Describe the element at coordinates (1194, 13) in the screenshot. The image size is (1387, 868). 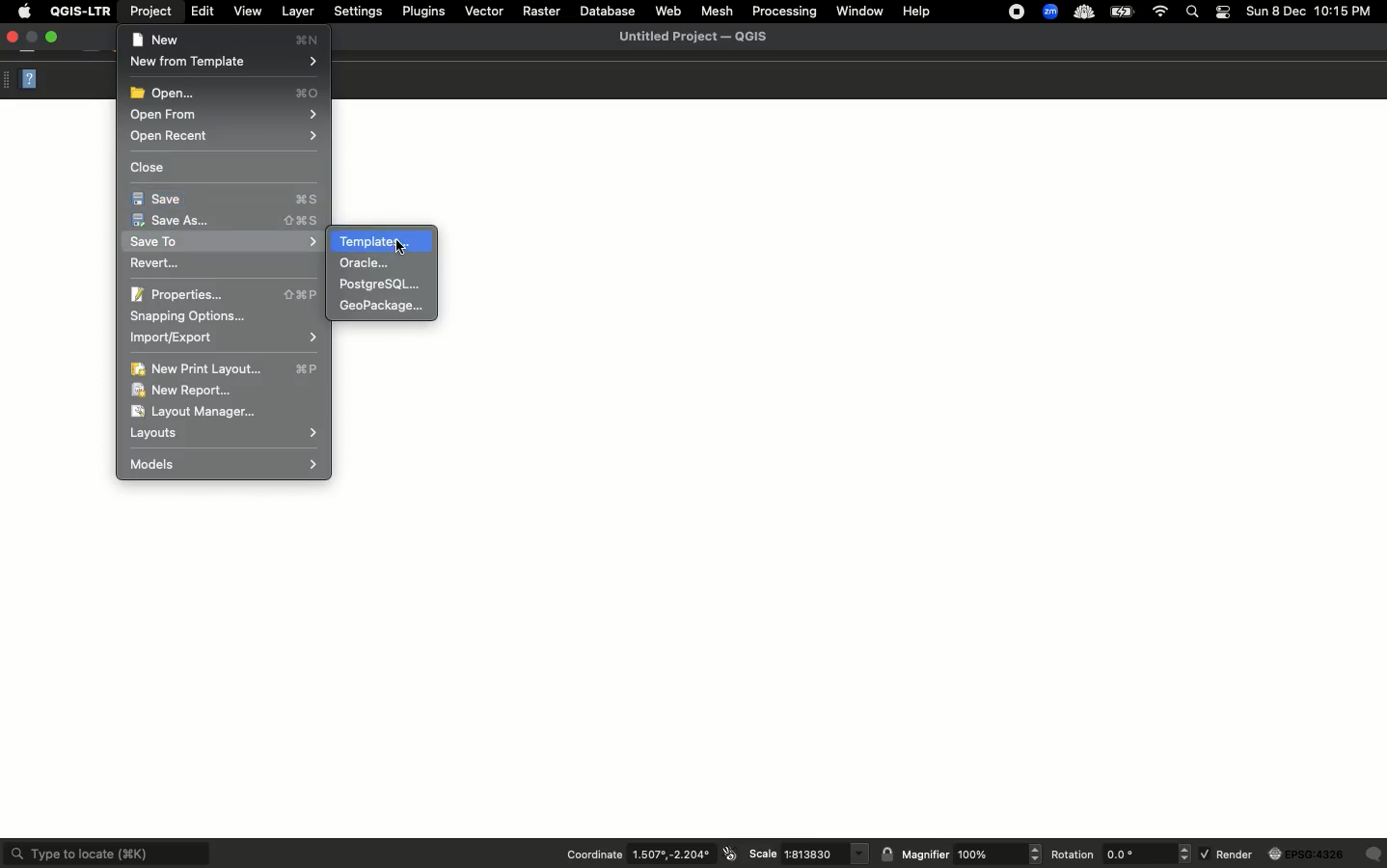
I see `Search` at that location.